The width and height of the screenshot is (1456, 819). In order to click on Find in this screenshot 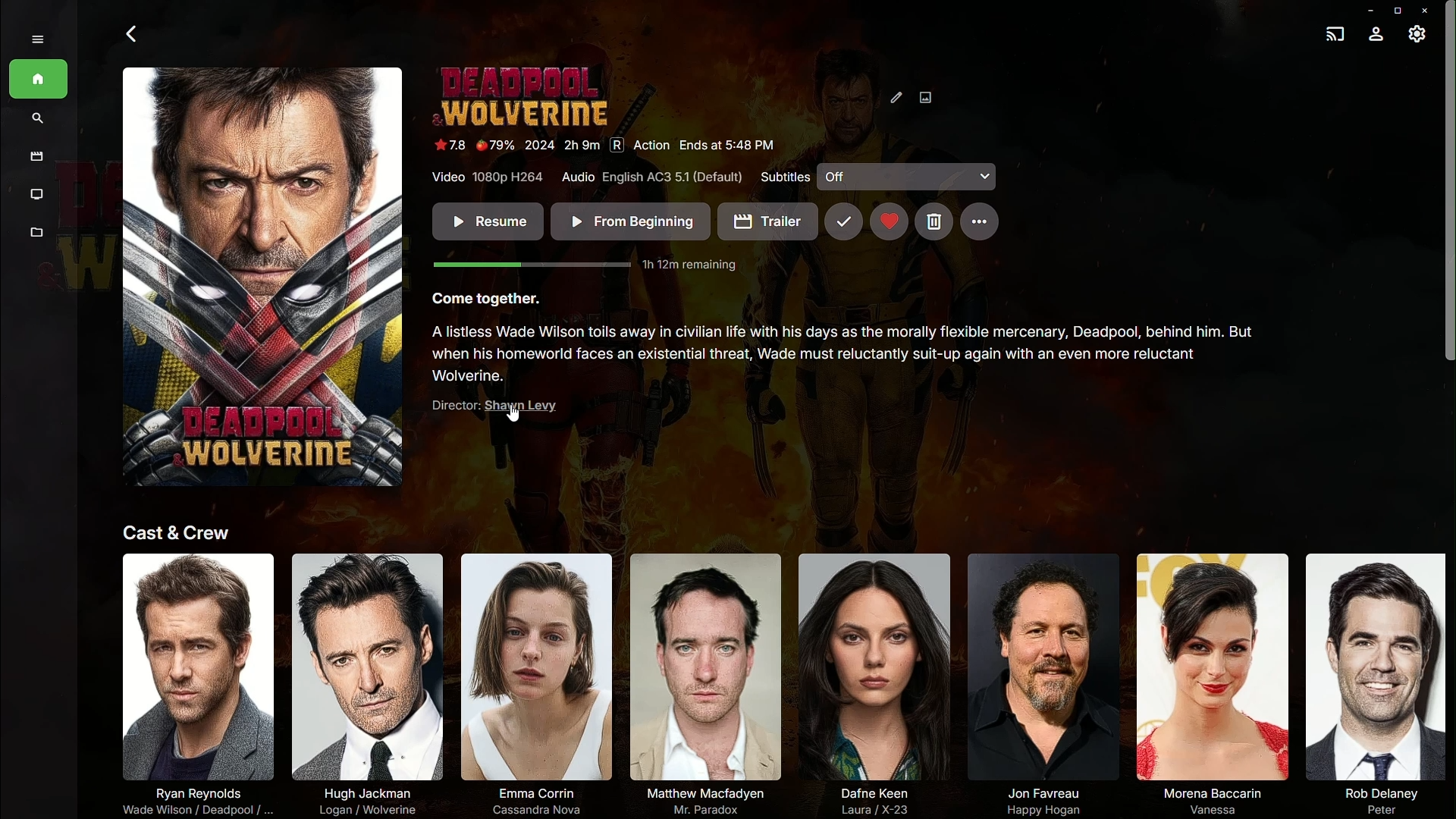, I will do `click(36, 120)`.